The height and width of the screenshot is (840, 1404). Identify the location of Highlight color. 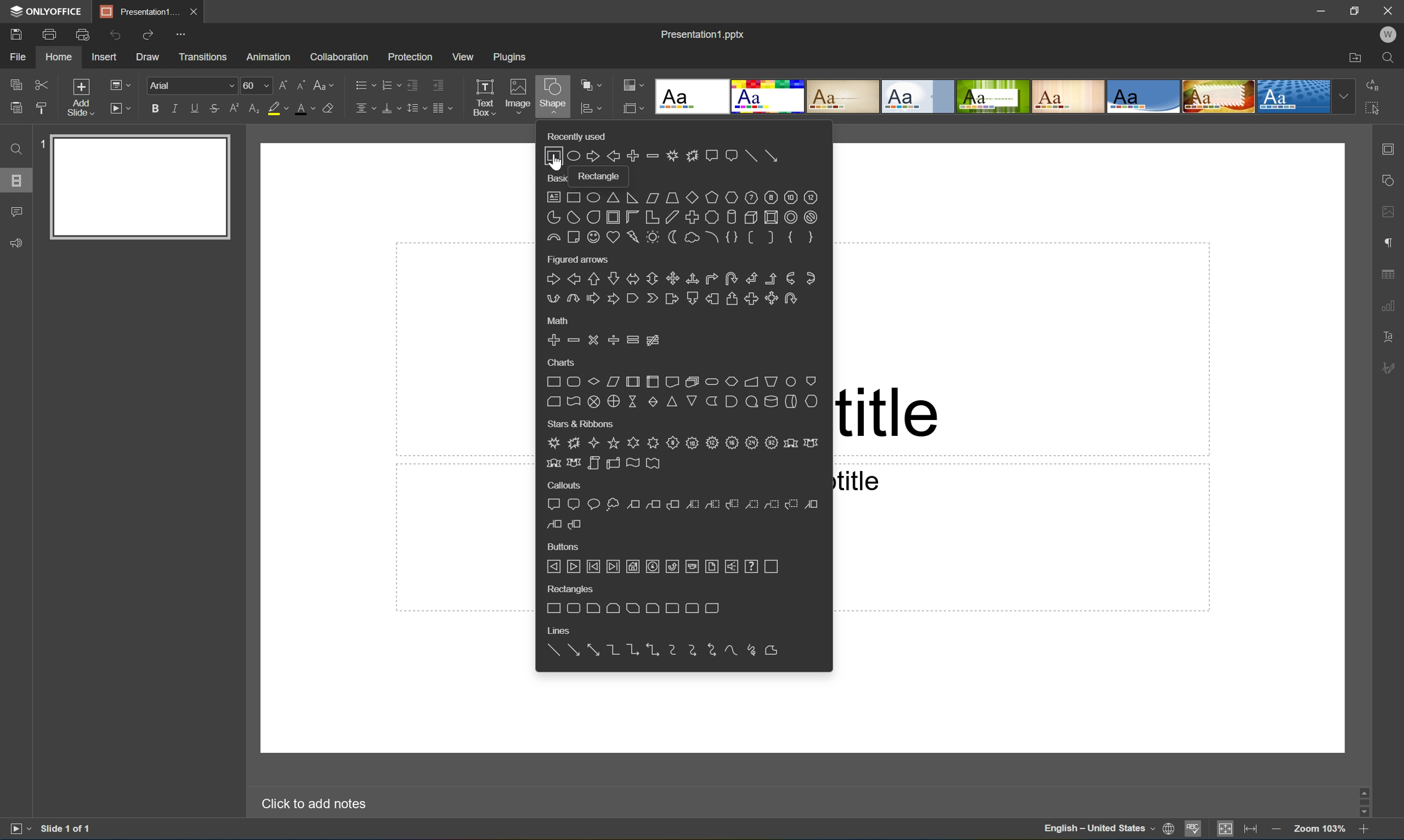
(282, 109).